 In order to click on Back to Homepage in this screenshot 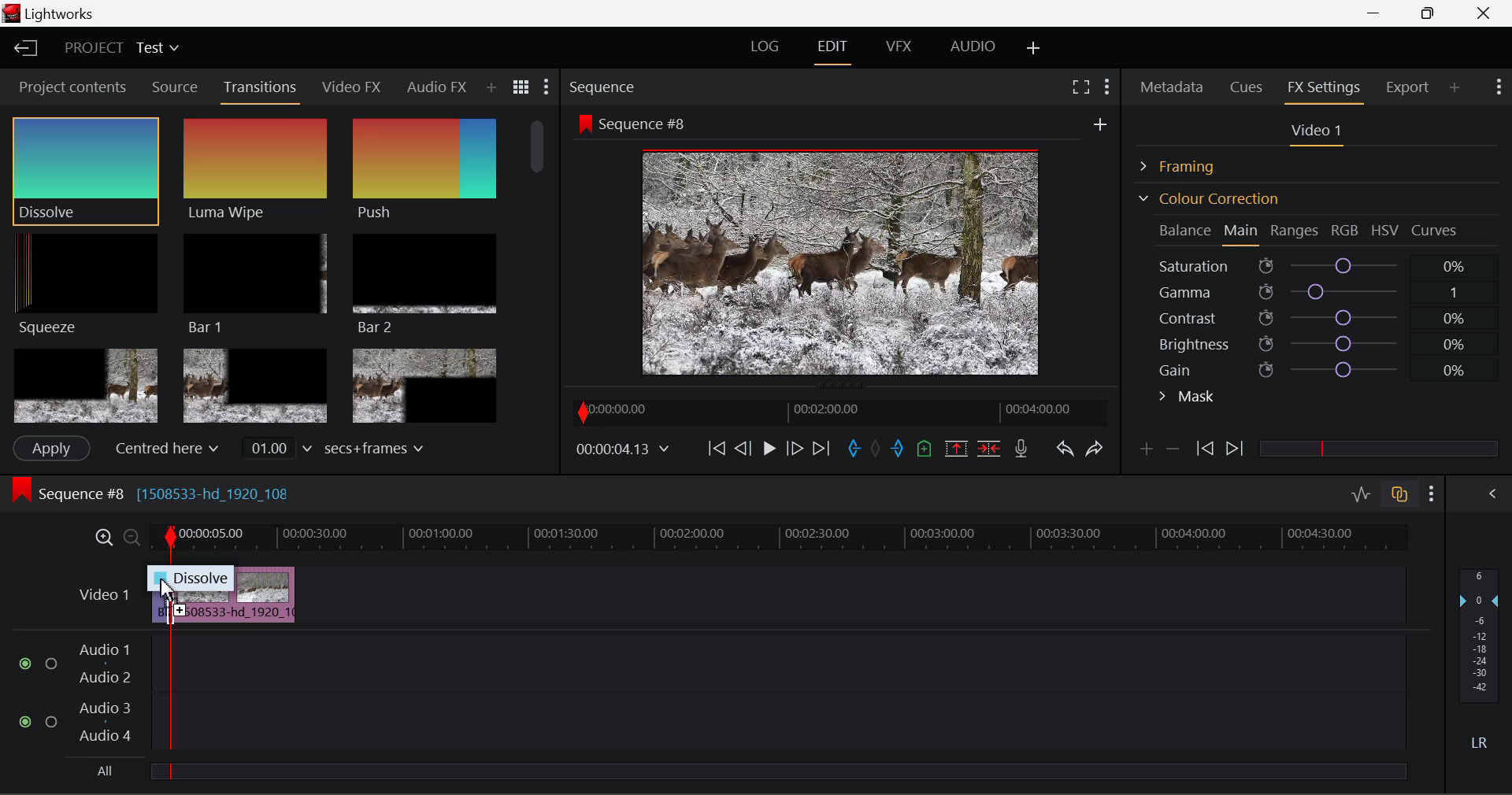, I will do `click(20, 49)`.